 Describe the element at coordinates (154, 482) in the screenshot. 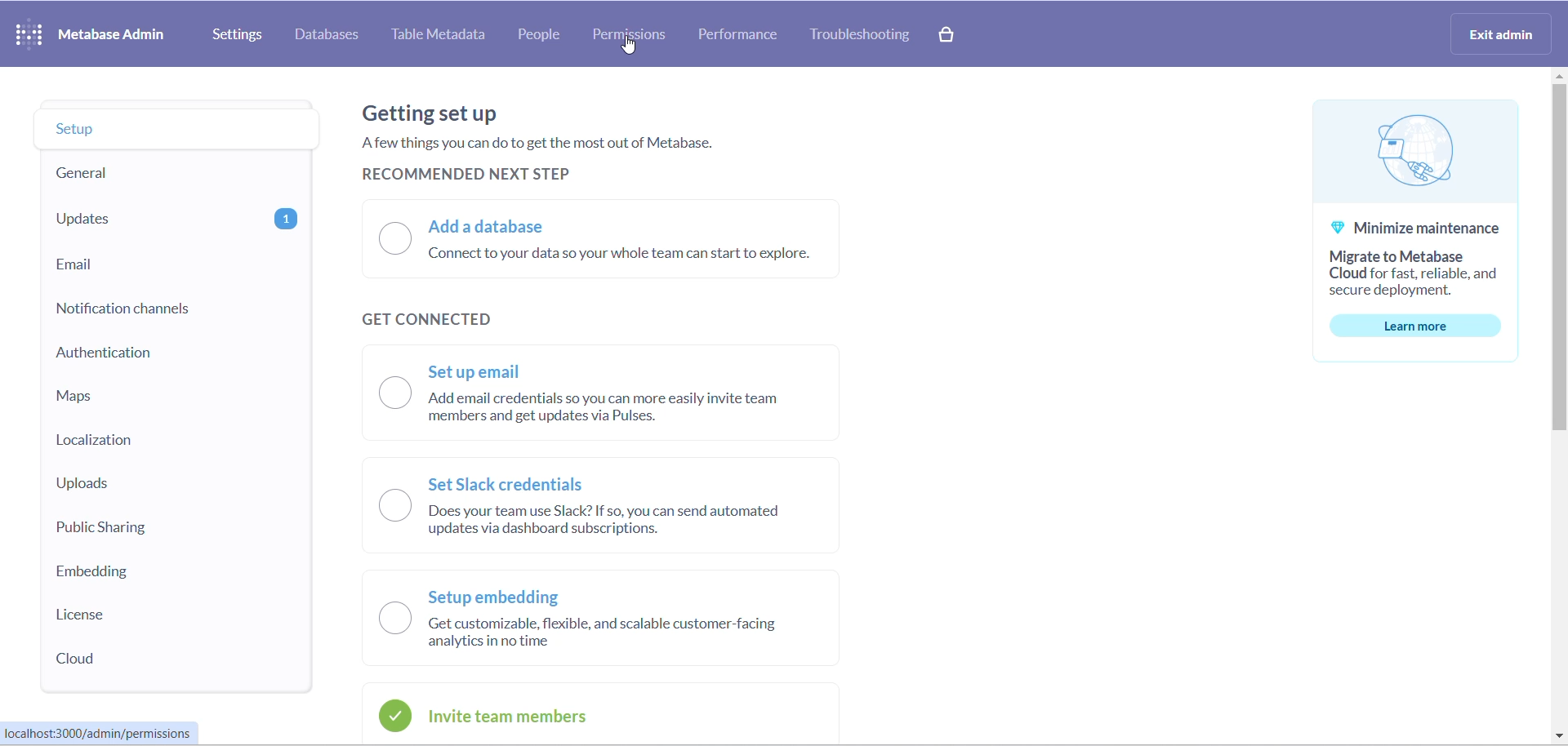

I see `uploads` at that location.